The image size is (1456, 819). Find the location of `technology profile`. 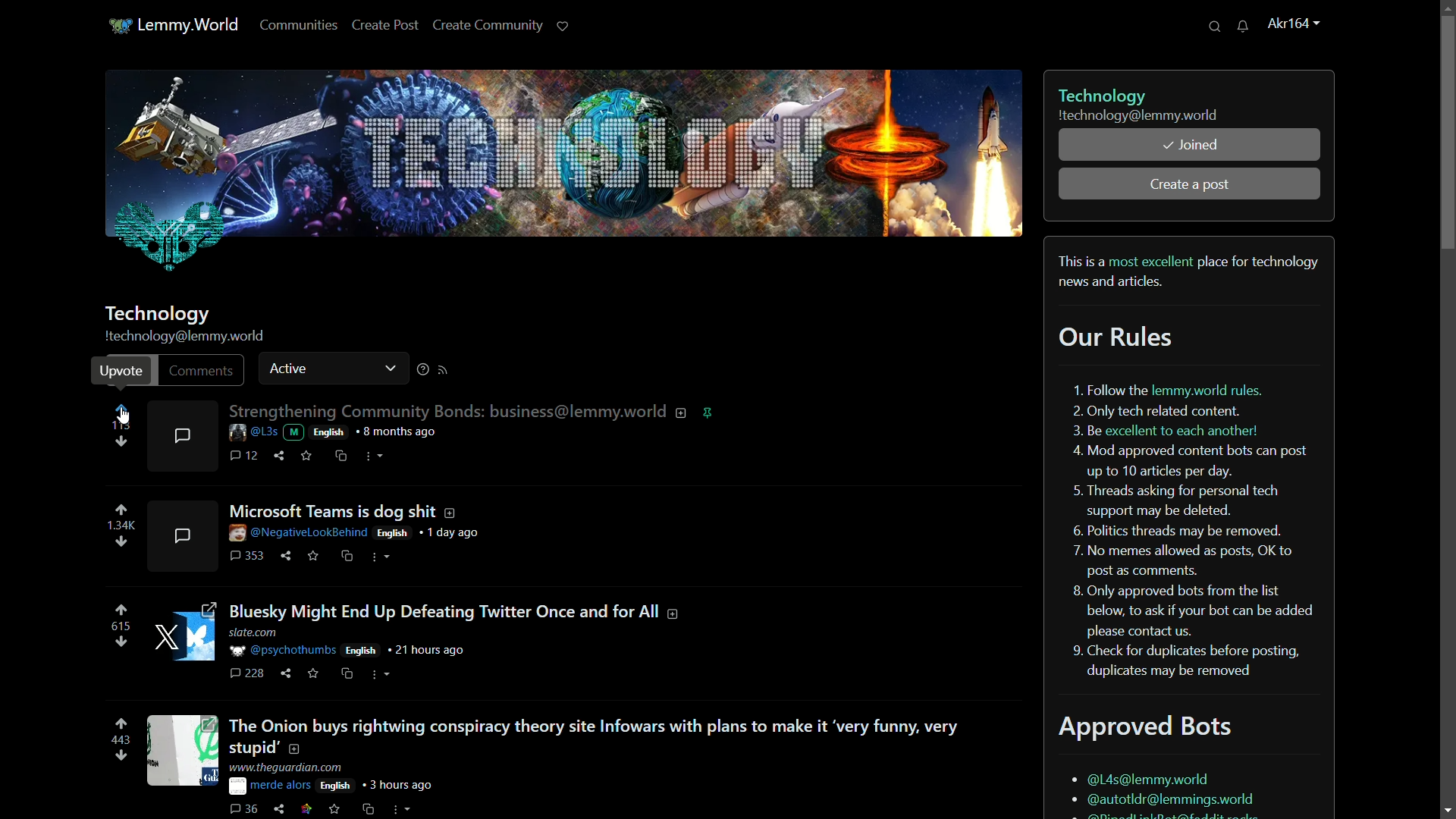

technology profile is located at coordinates (560, 172).